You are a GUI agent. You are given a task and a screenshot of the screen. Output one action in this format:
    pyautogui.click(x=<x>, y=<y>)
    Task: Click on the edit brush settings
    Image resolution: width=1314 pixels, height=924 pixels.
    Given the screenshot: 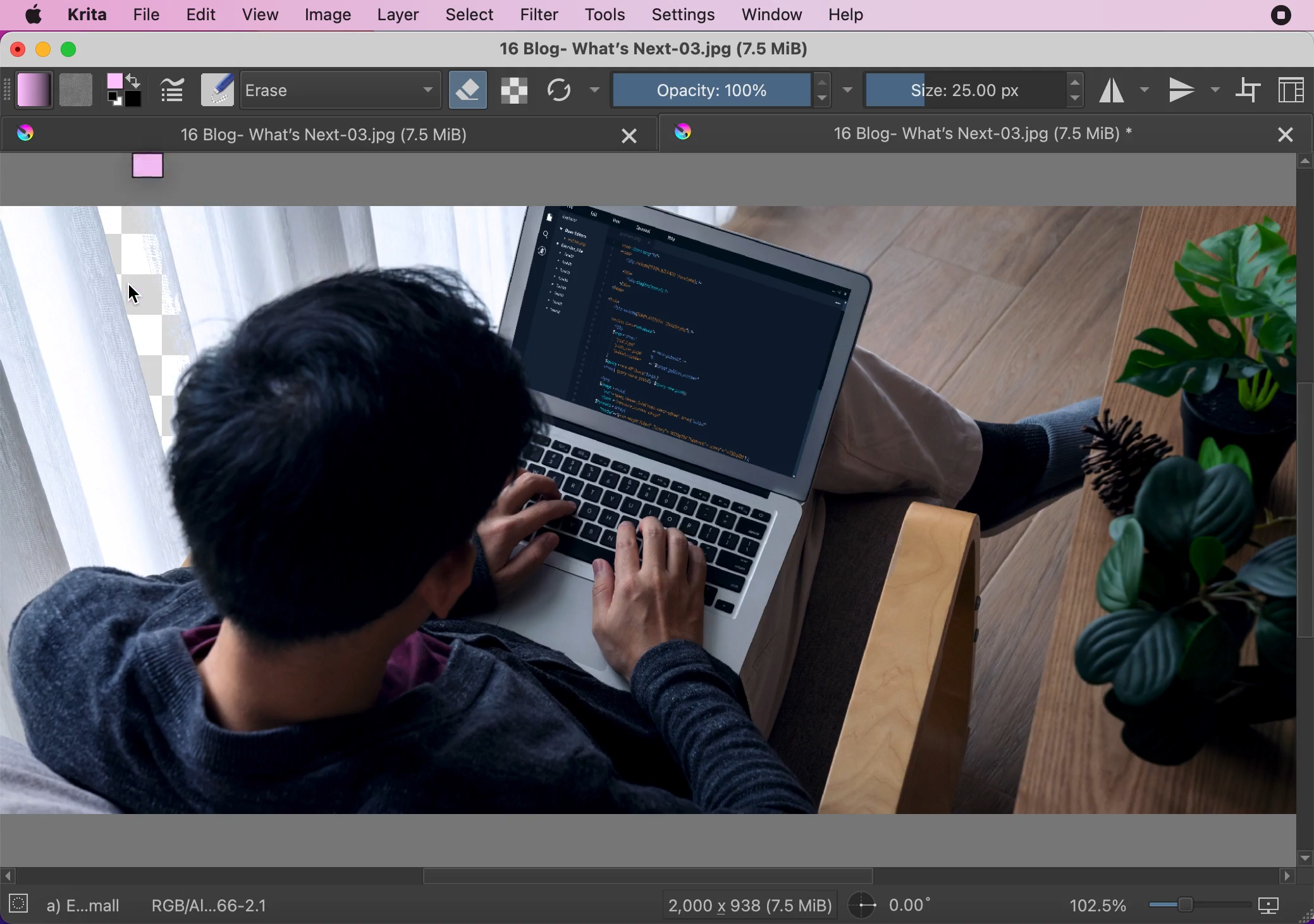 What is the action you would take?
    pyautogui.click(x=174, y=90)
    